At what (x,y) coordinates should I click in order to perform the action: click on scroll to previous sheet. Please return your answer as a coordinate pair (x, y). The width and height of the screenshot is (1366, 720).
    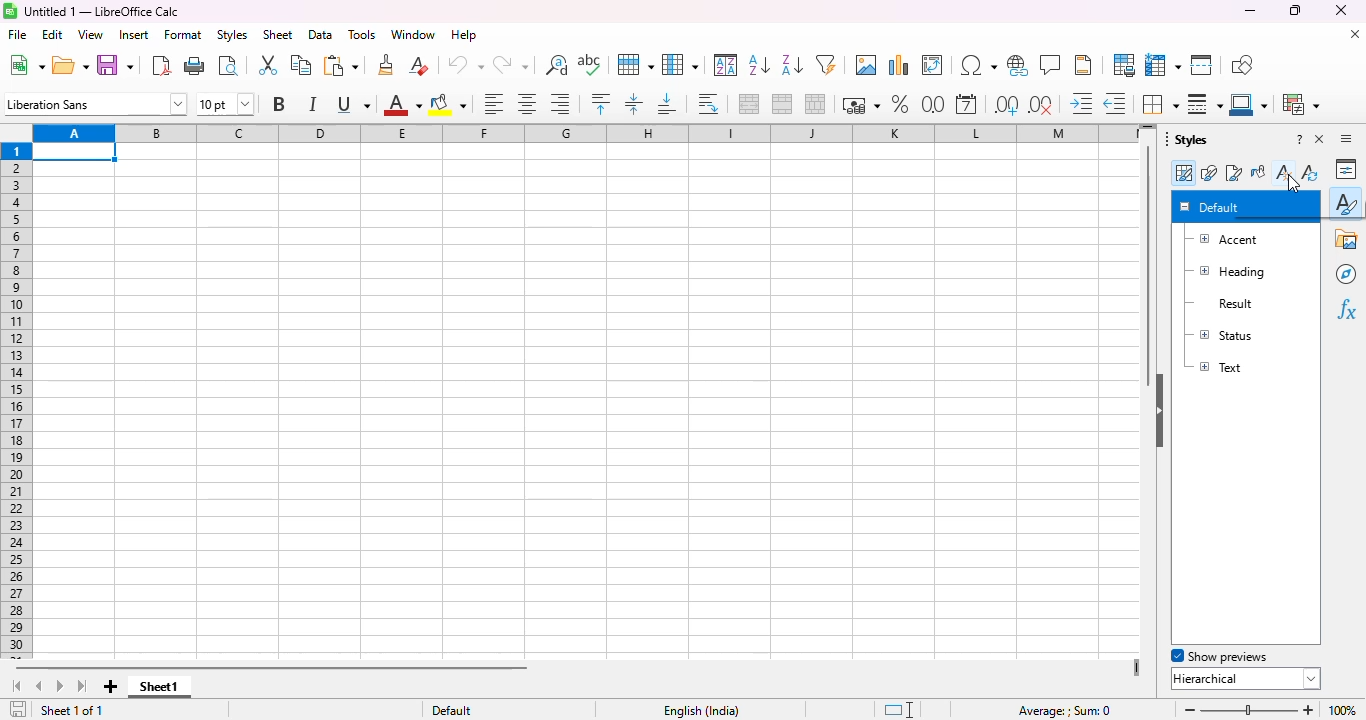
    Looking at the image, I should click on (38, 687).